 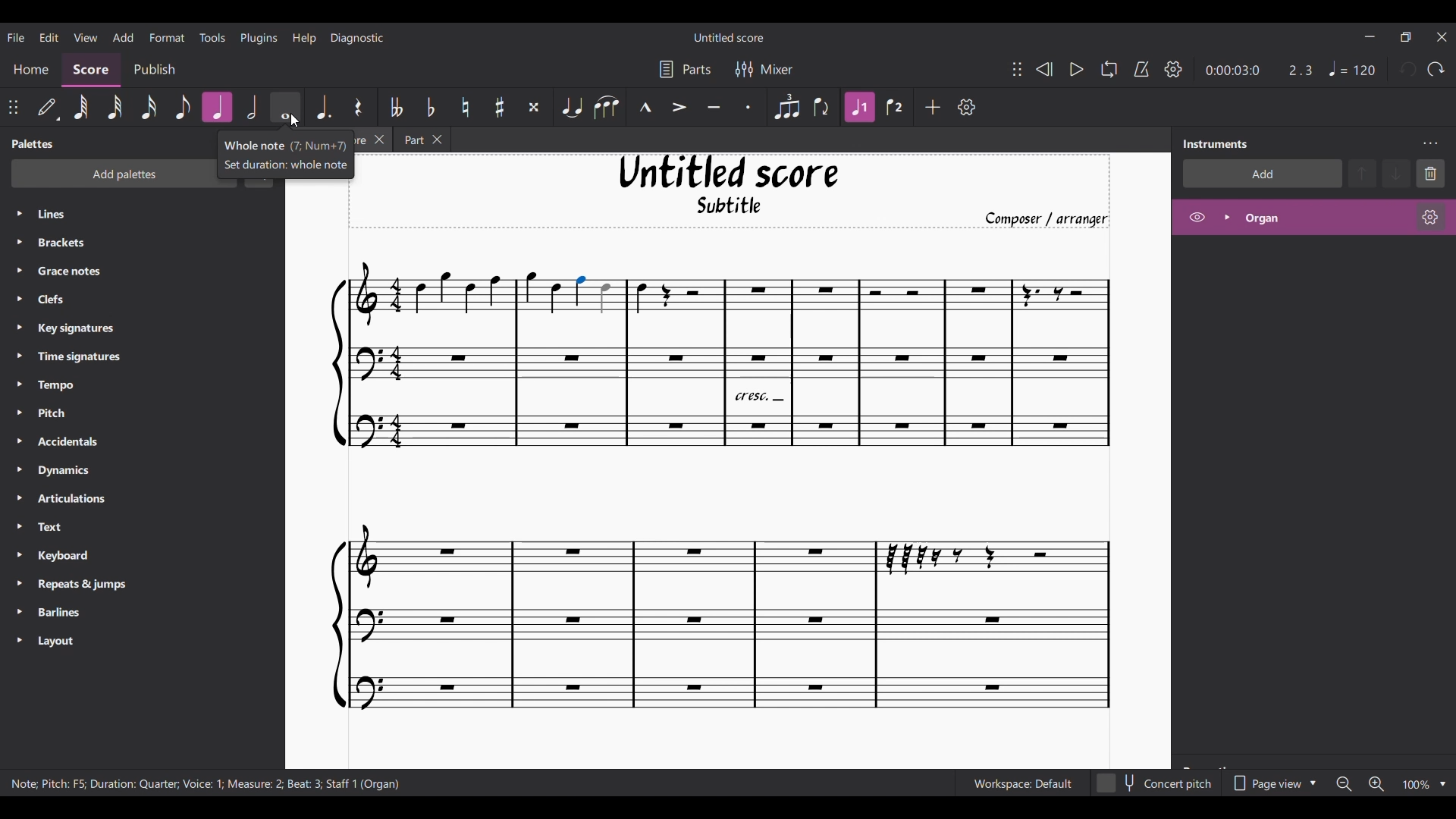 What do you see at coordinates (1044, 70) in the screenshot?
I see `Rewind` at bounding box center [1044, 70].